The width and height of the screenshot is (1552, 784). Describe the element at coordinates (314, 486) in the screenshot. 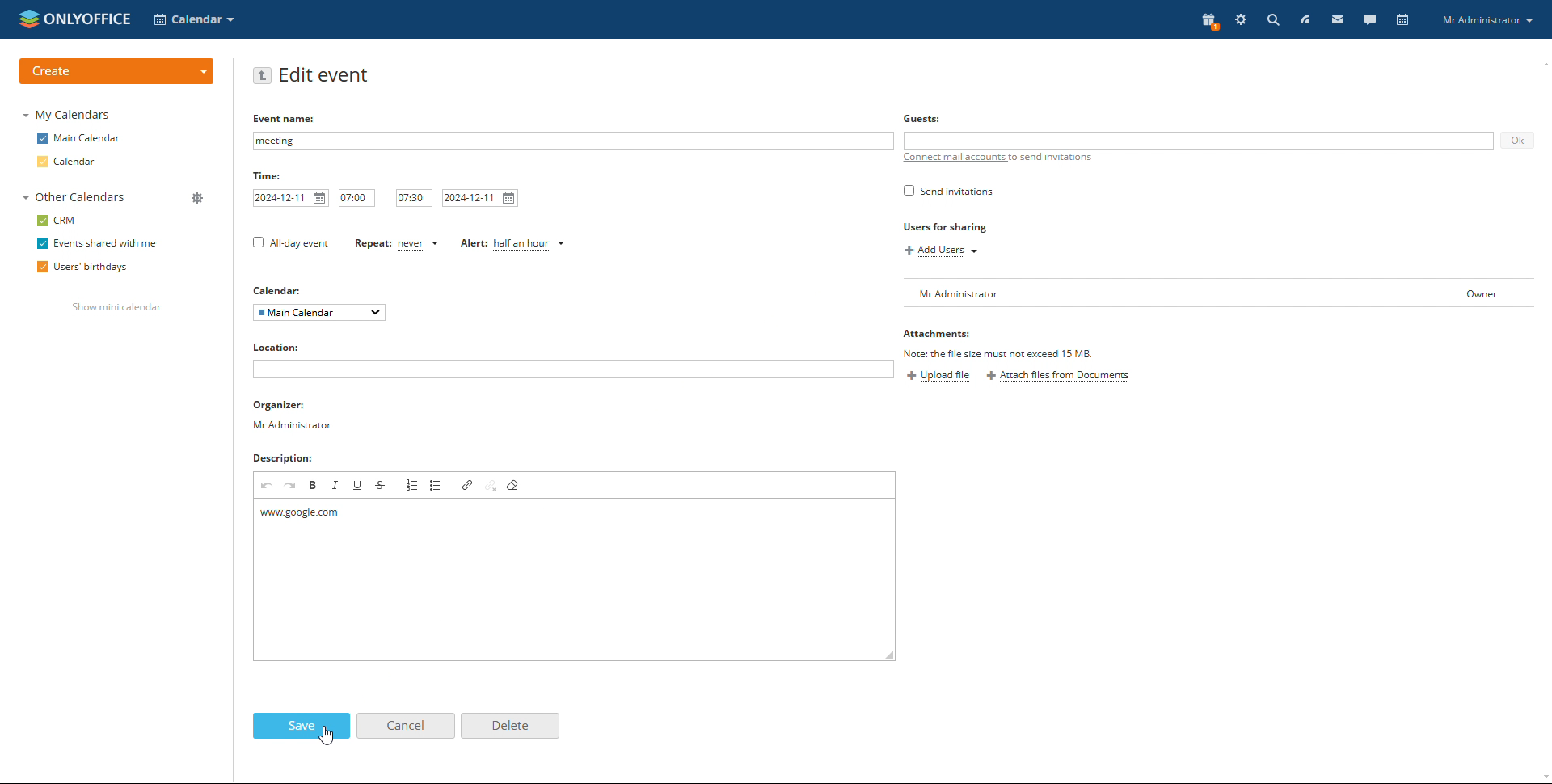

I see `bold` at that location.